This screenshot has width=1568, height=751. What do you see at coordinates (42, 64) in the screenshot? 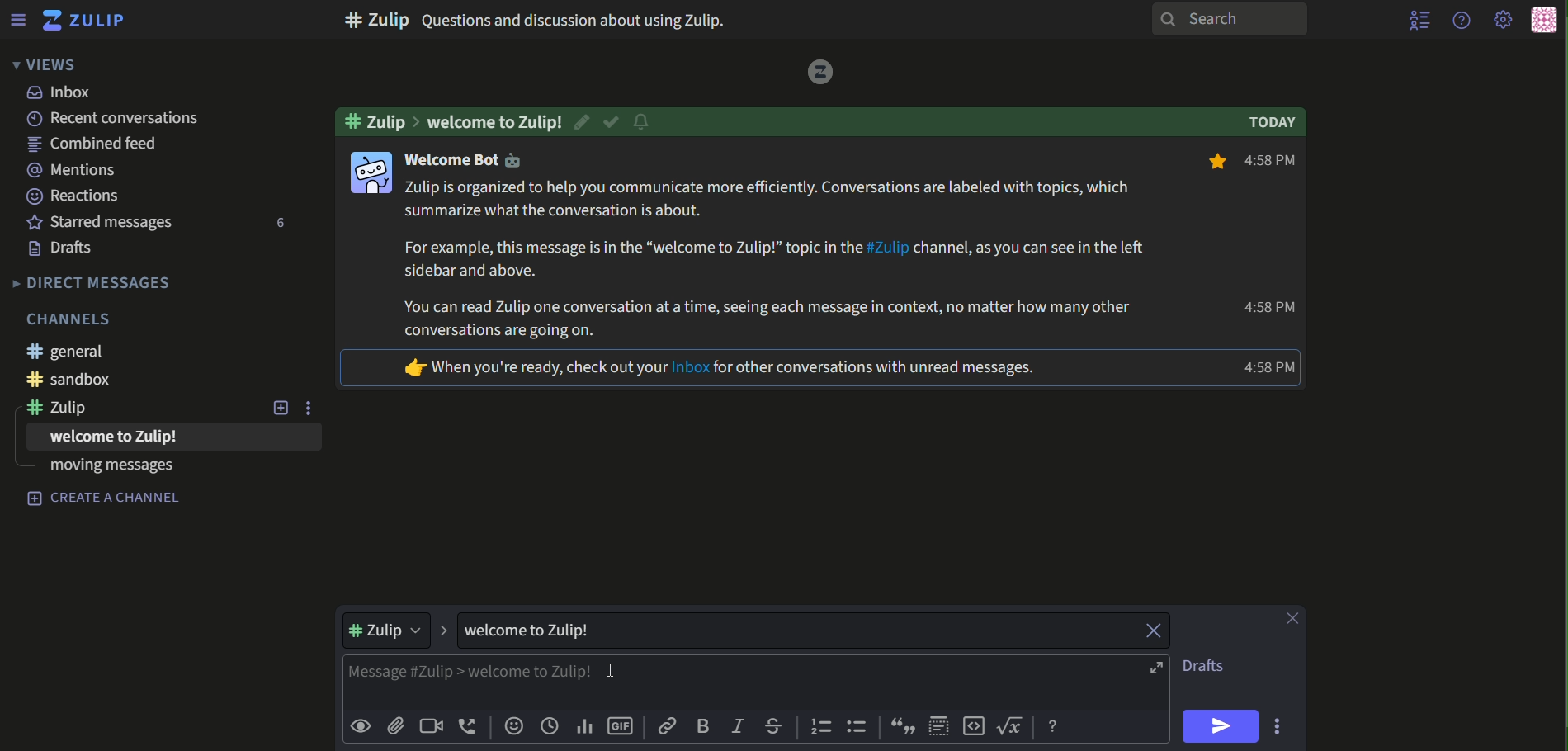
I see `views` at bounding box center [42, 64].